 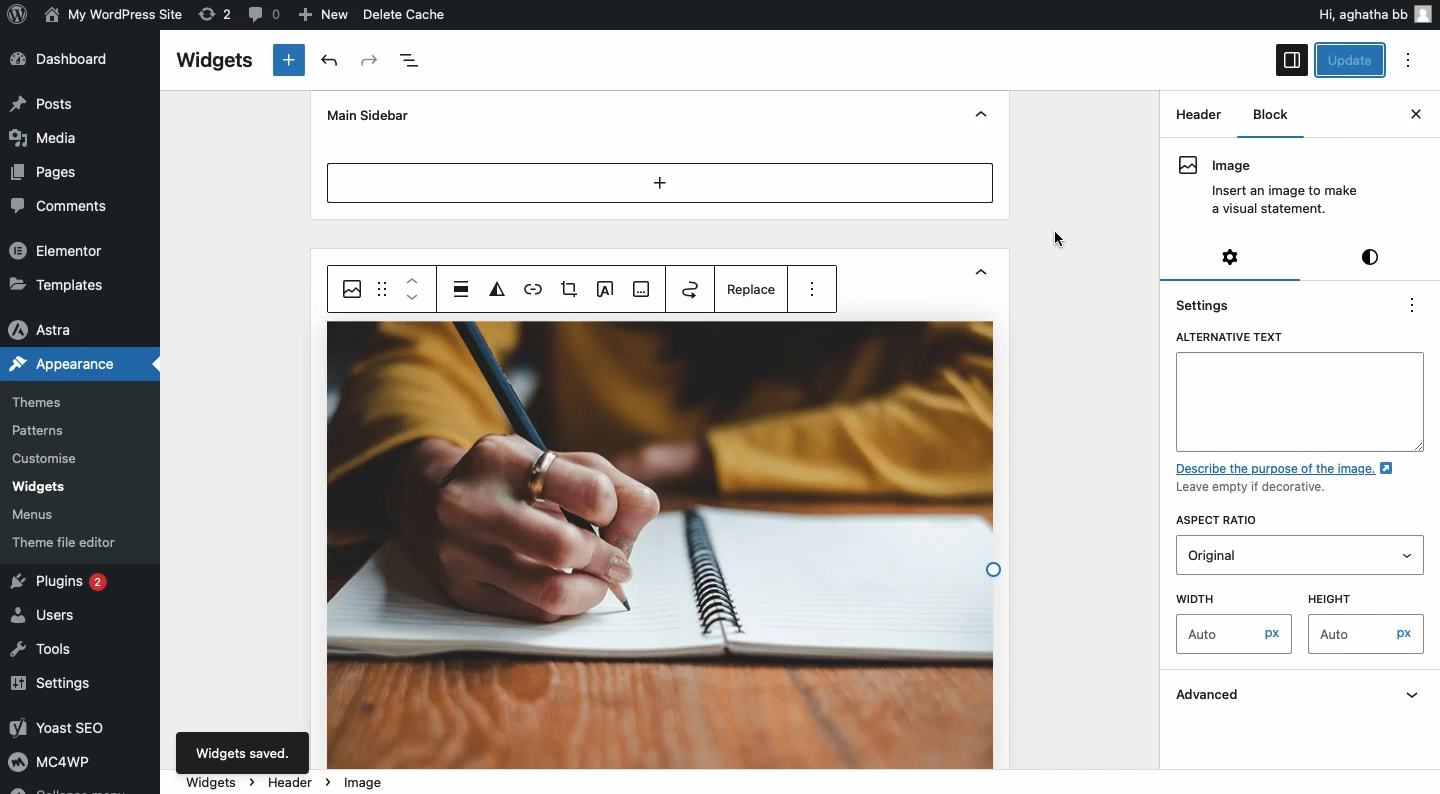 I want to click on Document overview, so click(x=412, y=61).